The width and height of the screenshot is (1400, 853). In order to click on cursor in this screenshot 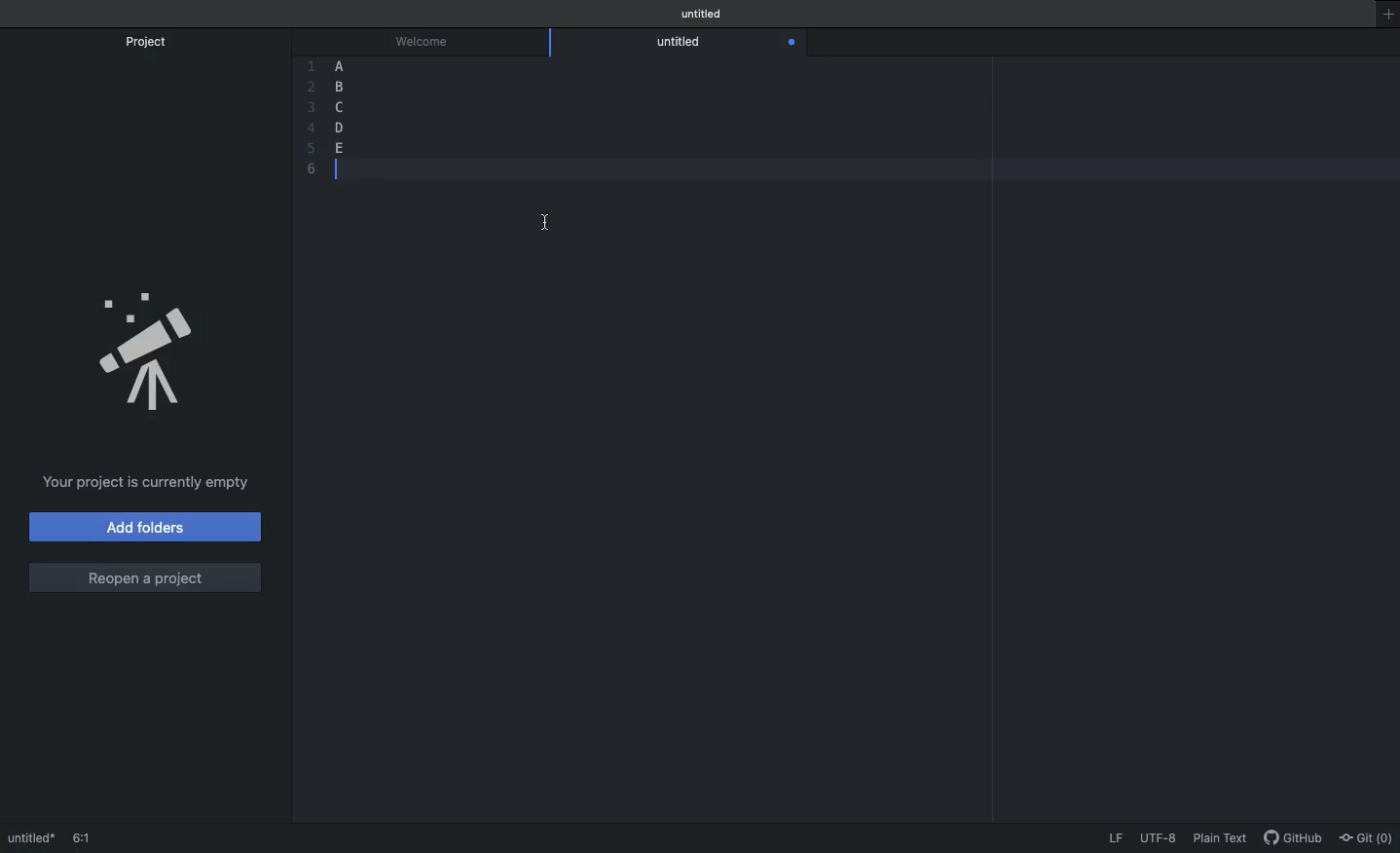, I will do `click(544, 219)`.